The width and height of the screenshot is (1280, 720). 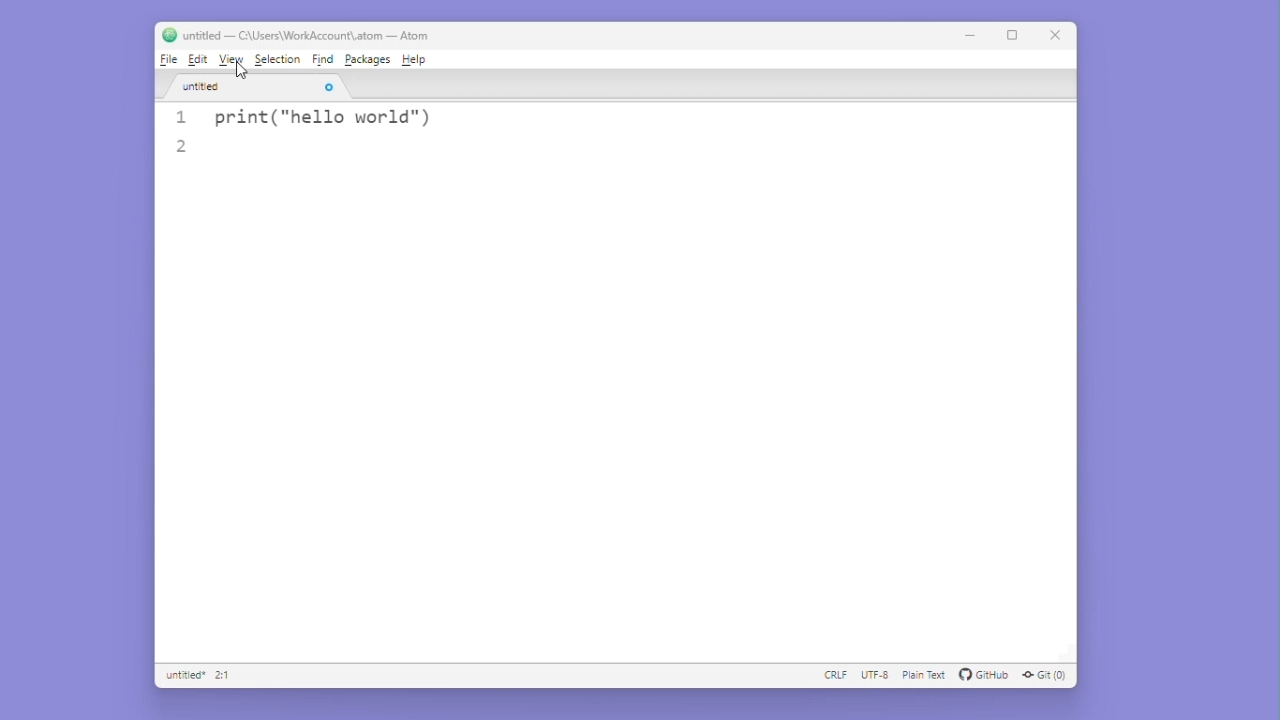 I want to click on Close, so click(x=1056, y=34).